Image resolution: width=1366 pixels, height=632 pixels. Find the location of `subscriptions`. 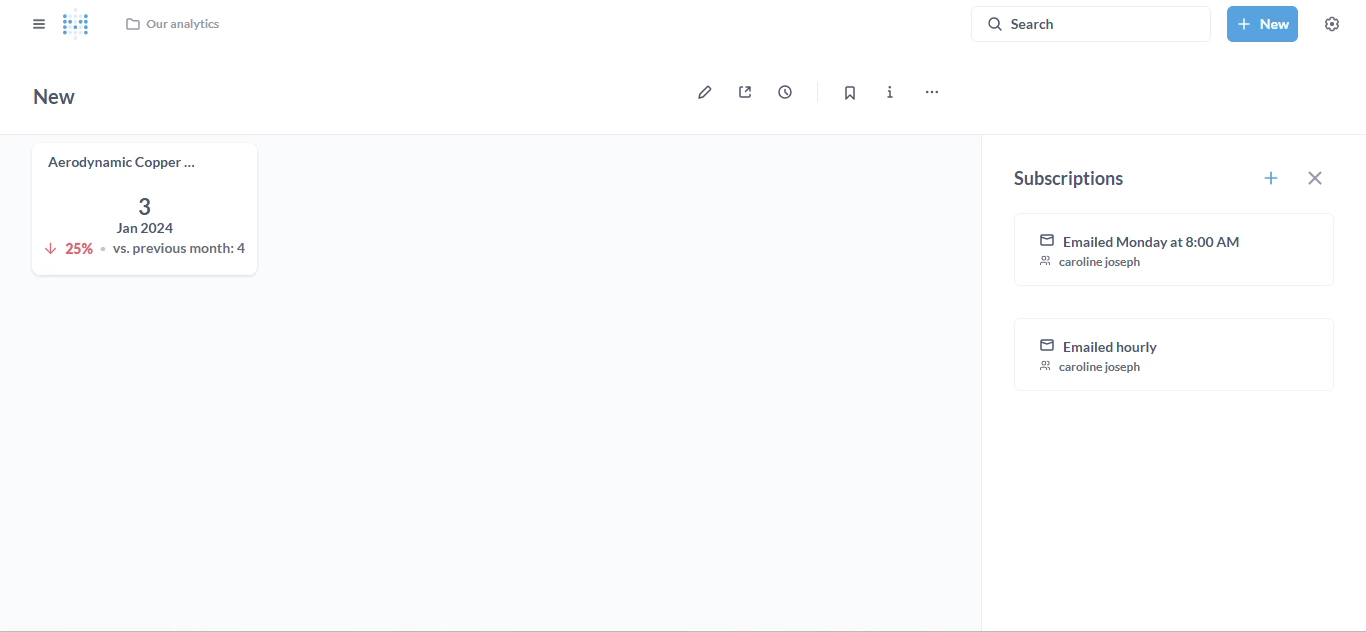

subscriptions is located at coordinates (1066, 179).